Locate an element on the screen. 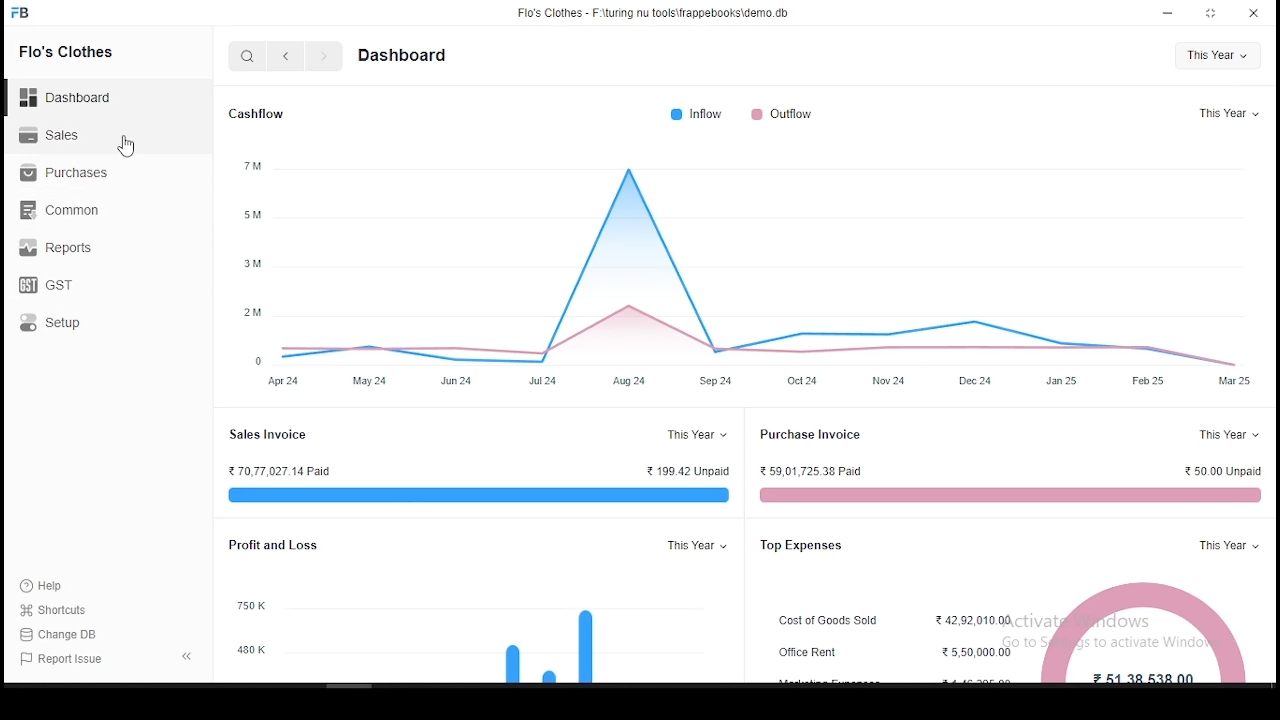 The width and height of the screenshot is (1280, 720). Dash board is located at coordinates (407, 56).